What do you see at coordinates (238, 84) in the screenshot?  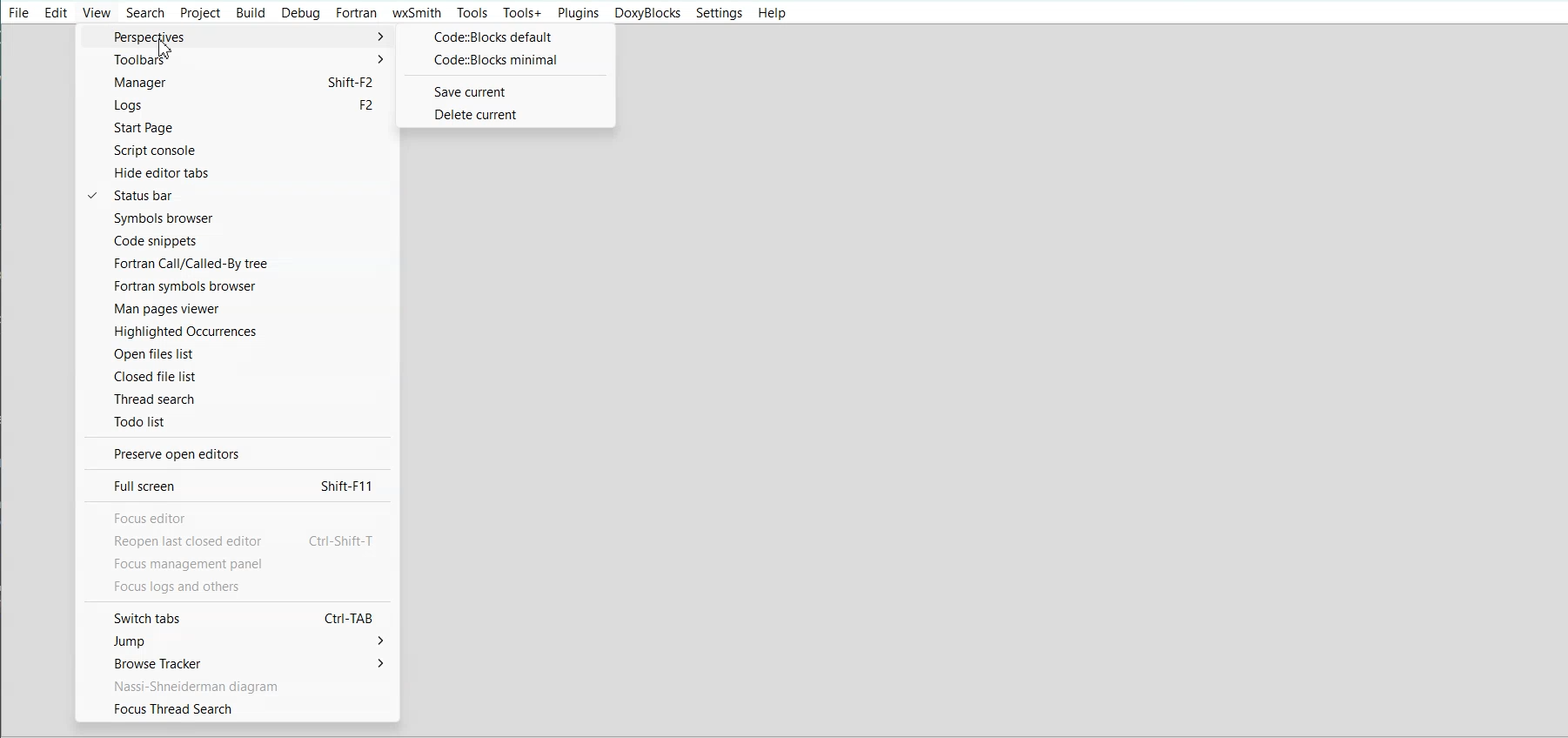 I see `Manager` at bounding box center [238, 84].